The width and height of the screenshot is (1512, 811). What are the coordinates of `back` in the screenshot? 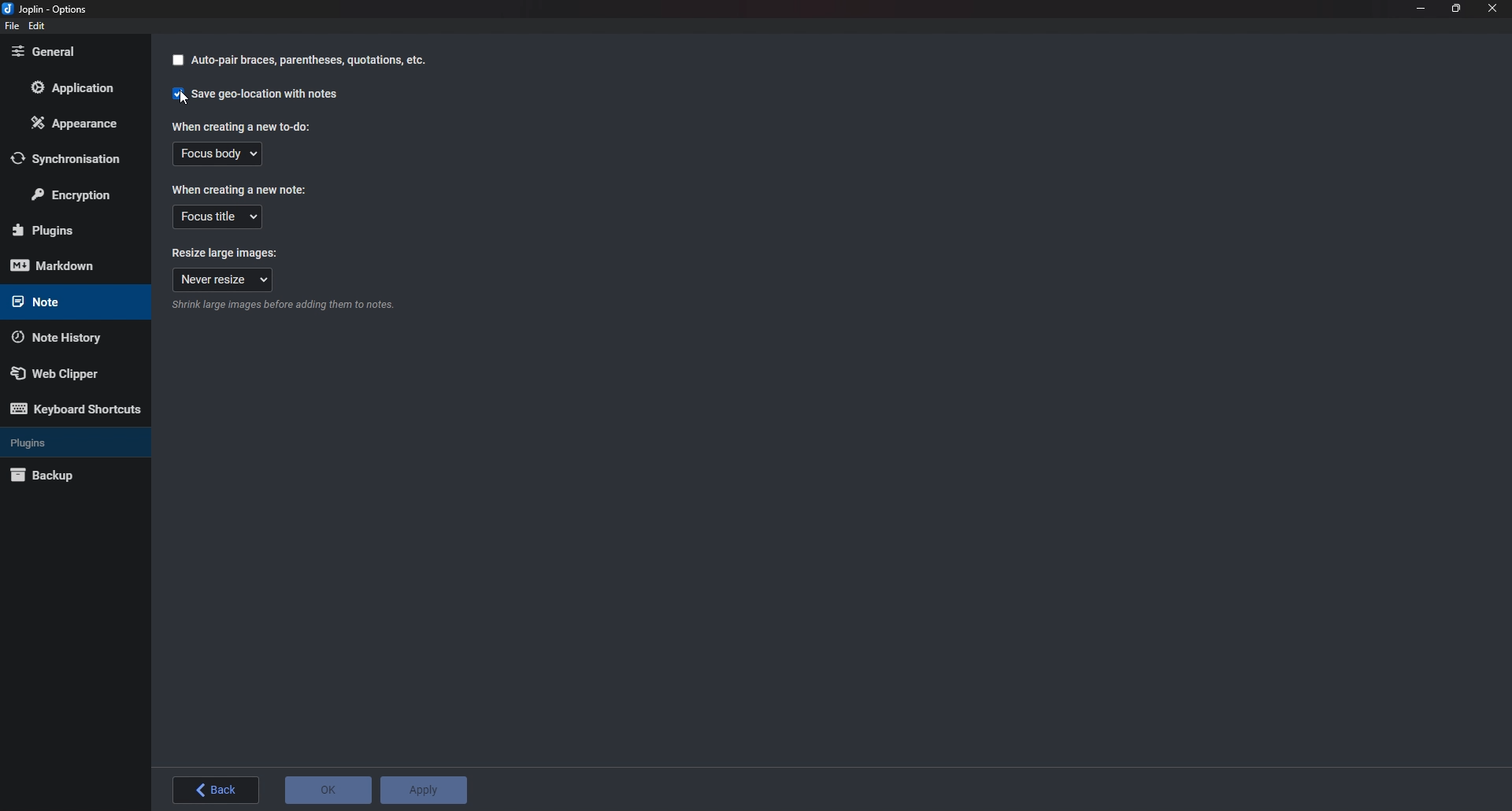 It's located at (217, 790).